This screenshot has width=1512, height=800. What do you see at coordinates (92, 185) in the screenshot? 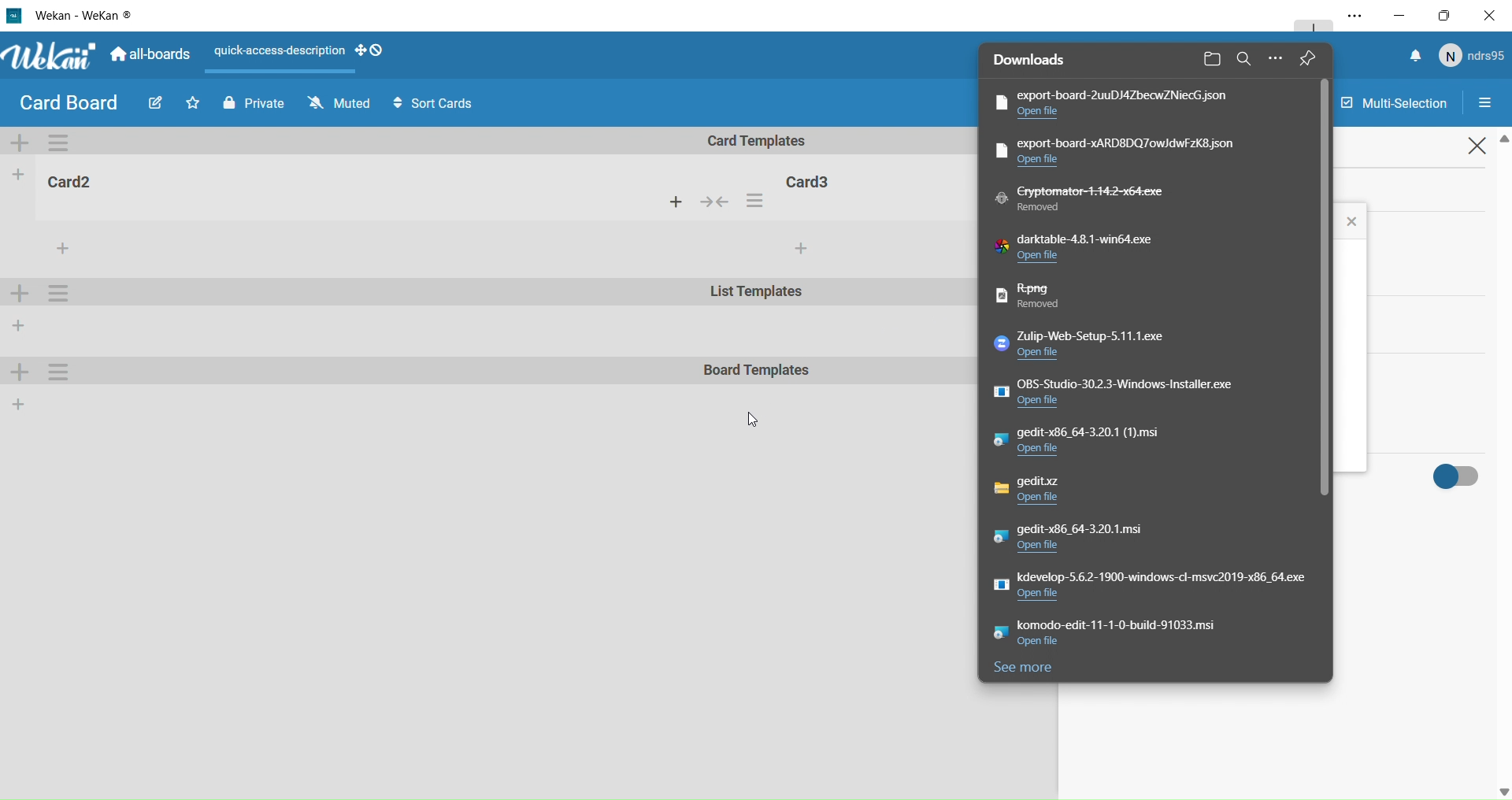
I see `` at bounding box center [92, 185].